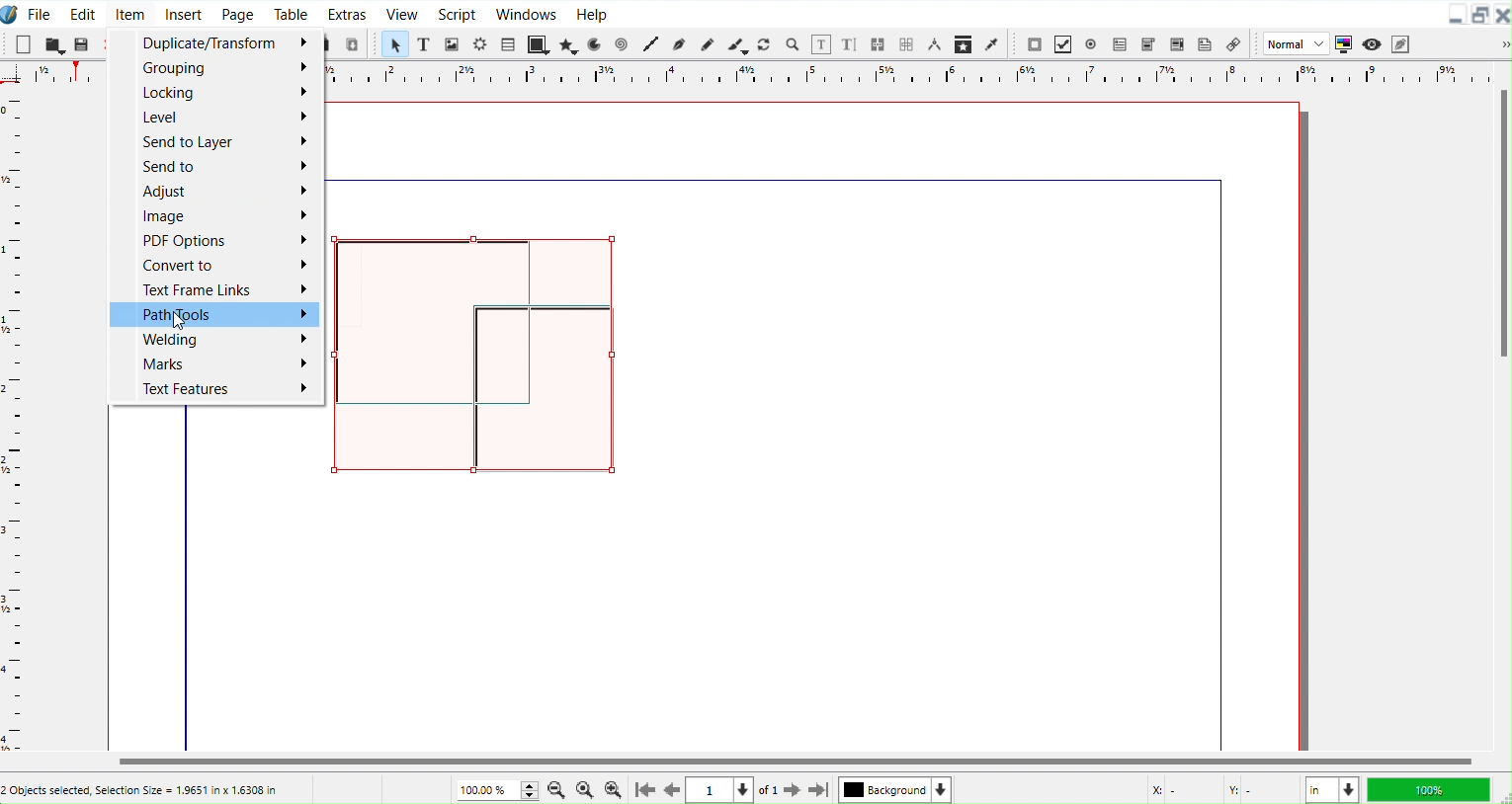  I want to click on Table, so click(292, 13).